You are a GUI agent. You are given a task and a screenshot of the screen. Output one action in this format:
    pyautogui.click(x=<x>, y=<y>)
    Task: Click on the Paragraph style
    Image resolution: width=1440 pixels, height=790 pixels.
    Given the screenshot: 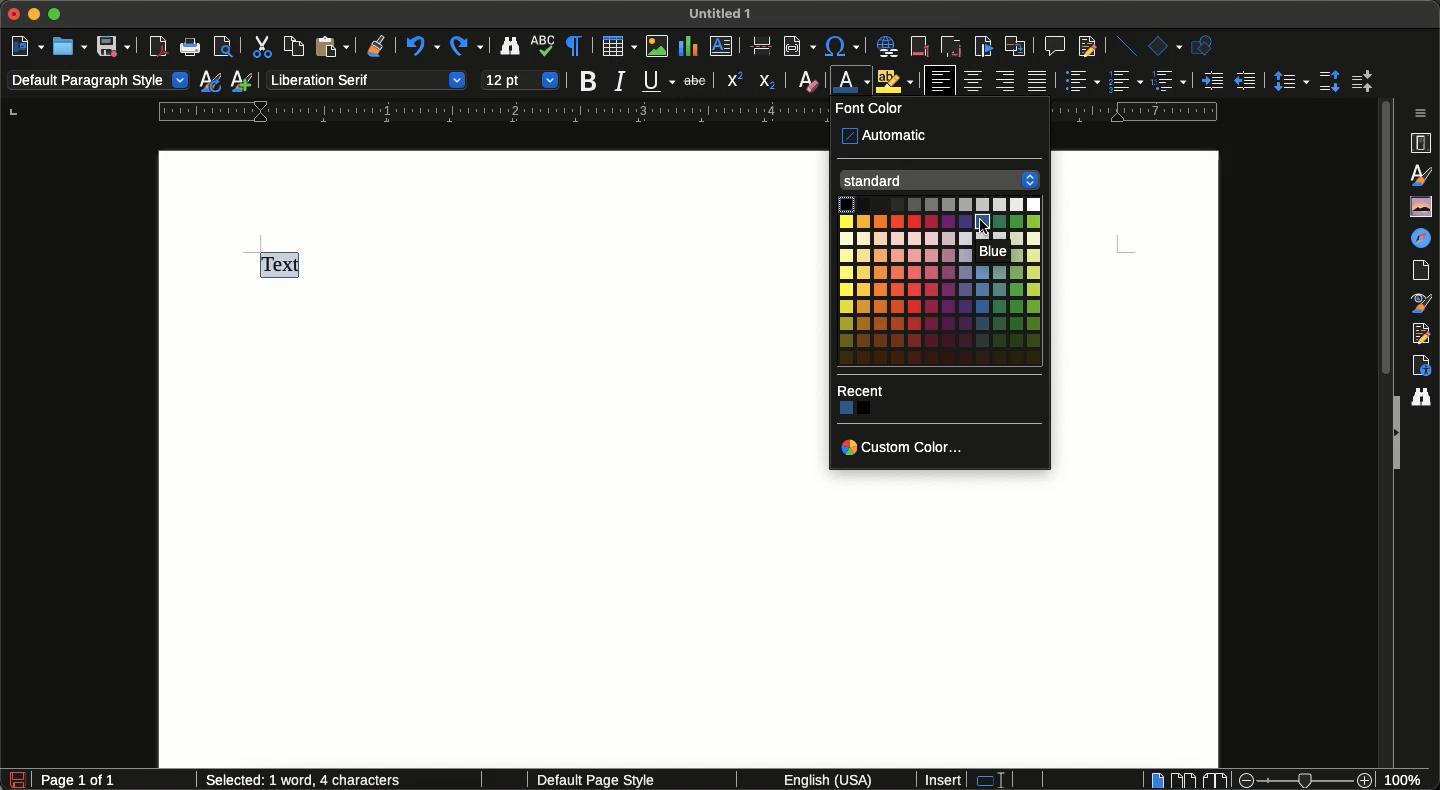 What is the action you would take?
    pyautogui.click(x=99, y=82)
    